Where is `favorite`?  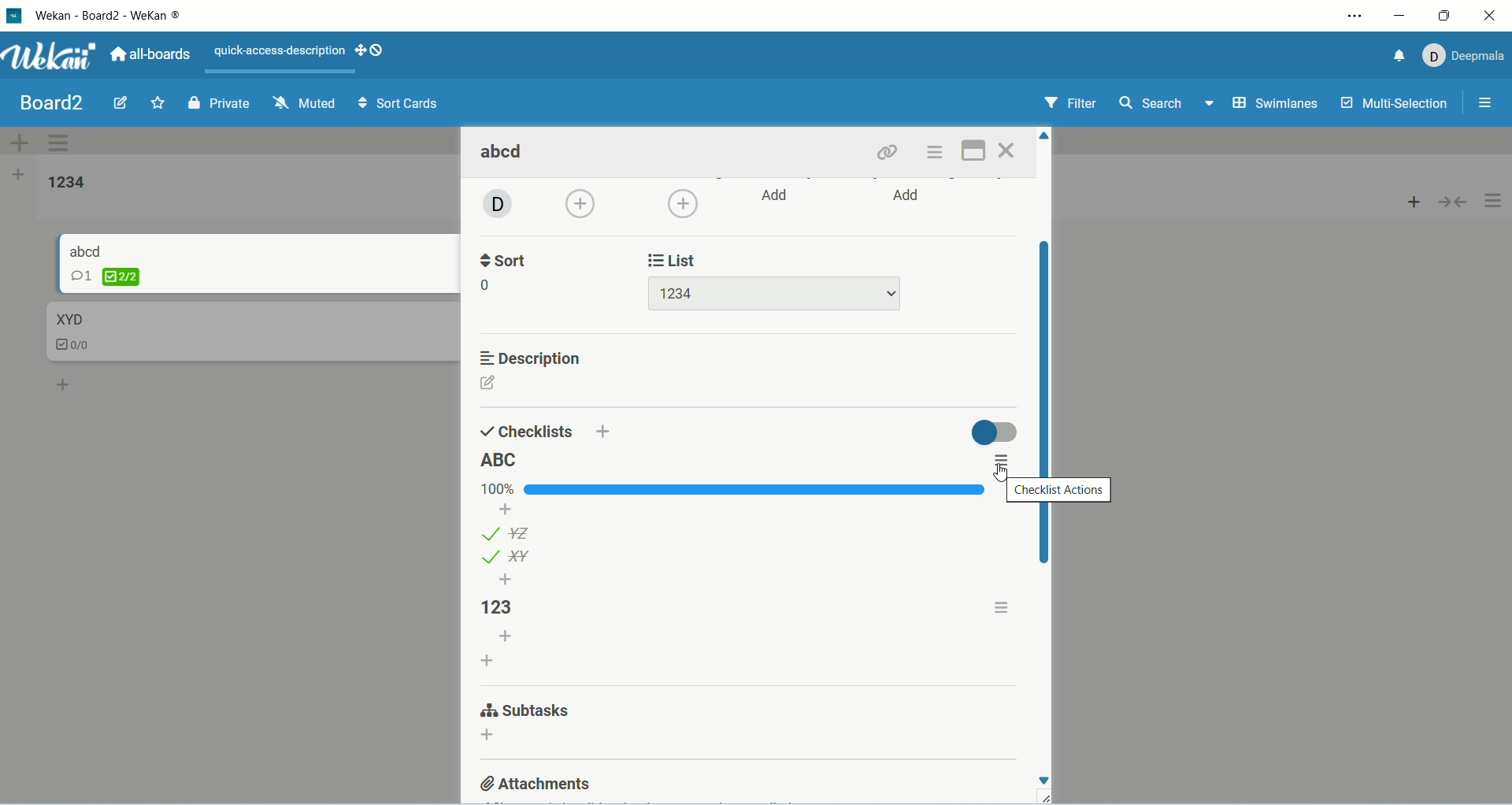
favorite is located at coordinates (157, 104).